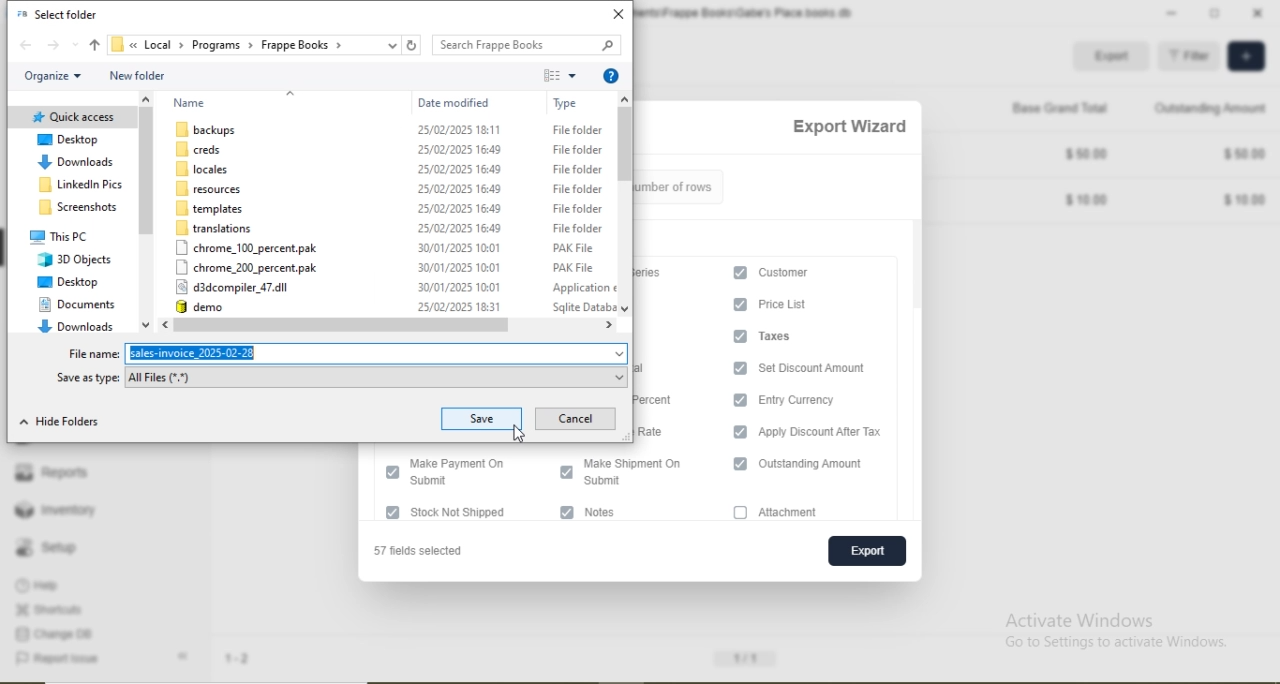 This screenshot has width=1280, height=684. I want to click on 25/02/2025 16:49, so click(461, 170).